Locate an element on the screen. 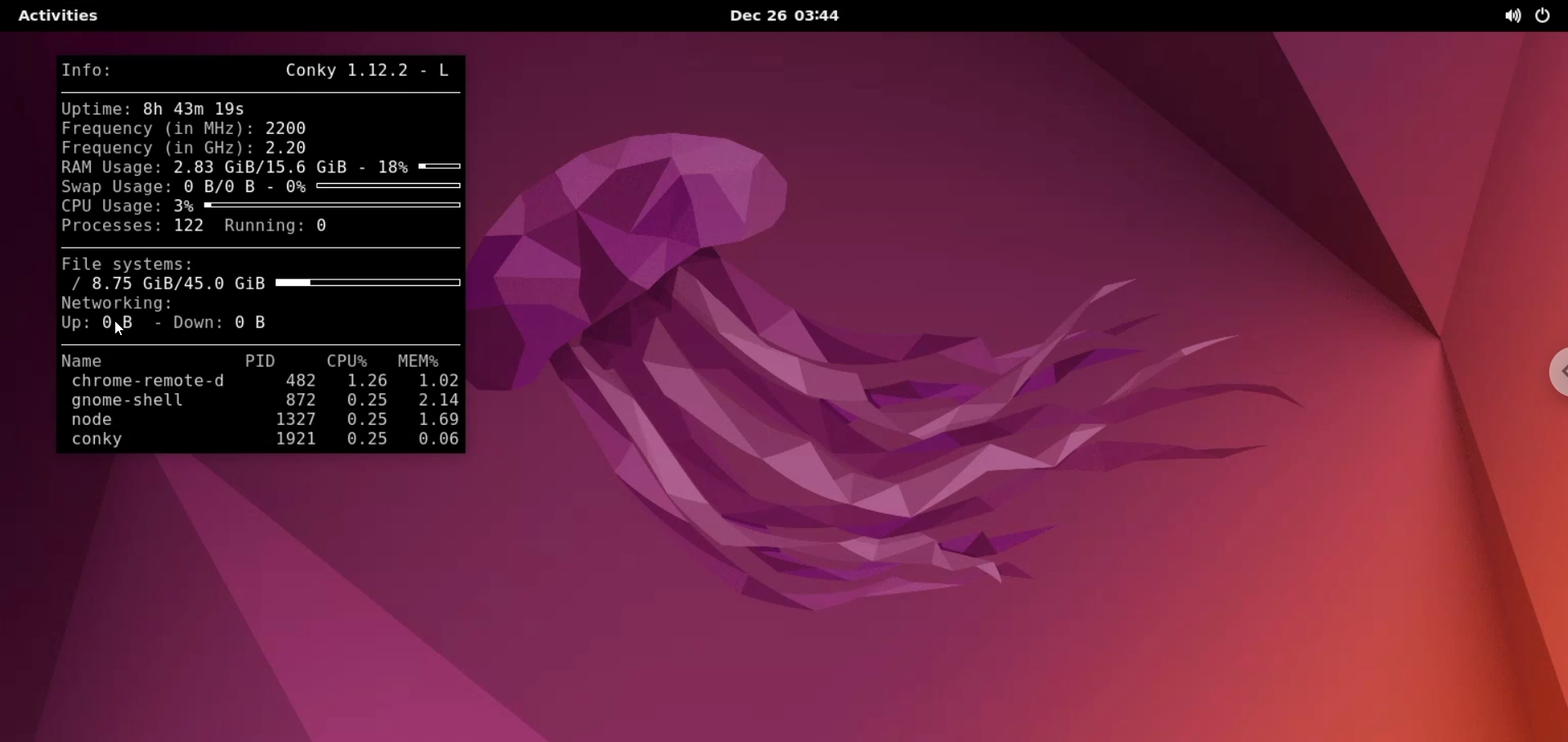 This screenshot has height=742, width=1568. 0 B is located at coordinates (117, 327).